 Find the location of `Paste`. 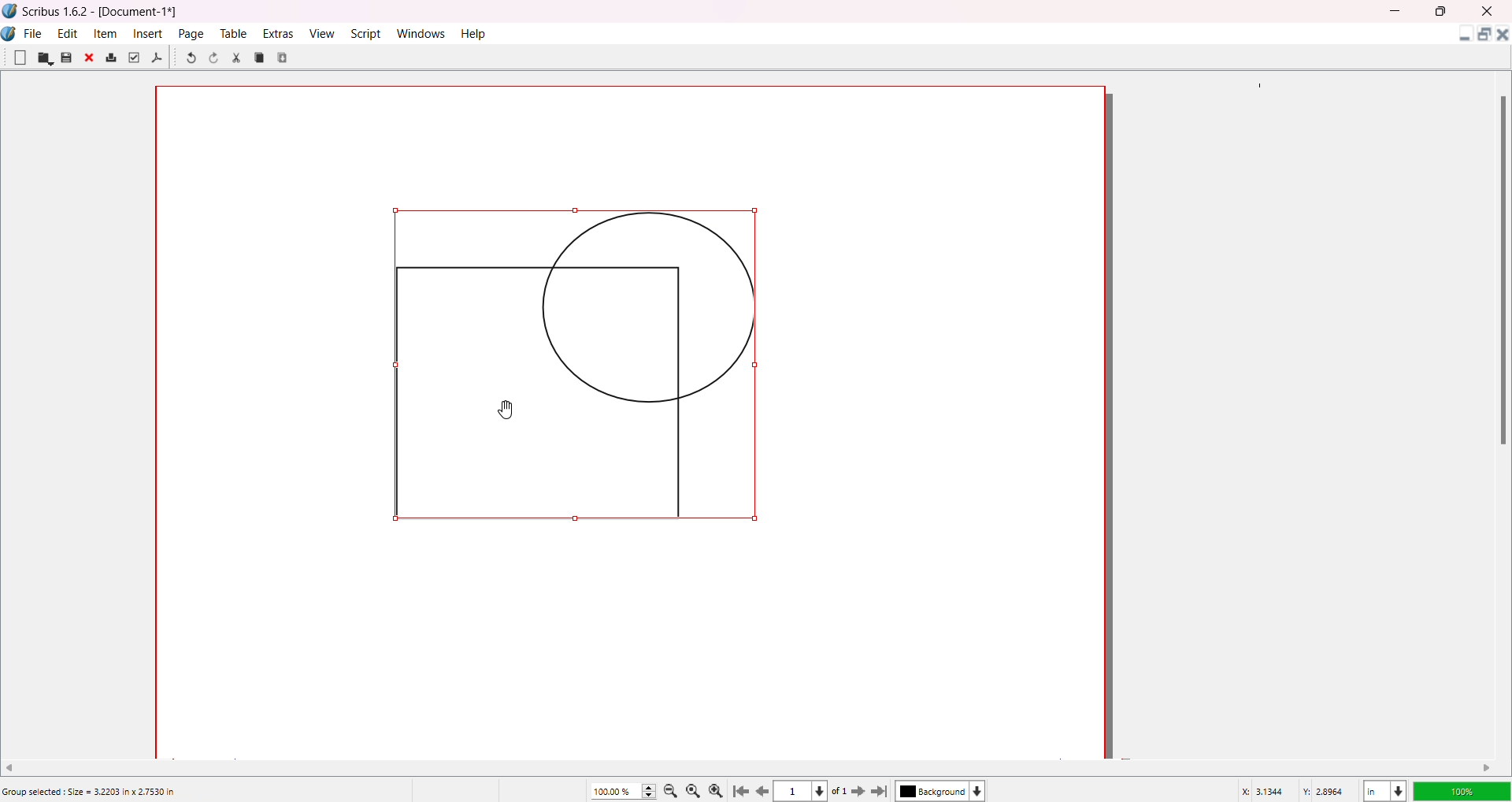

Paste is located at coordinates (284, 57).